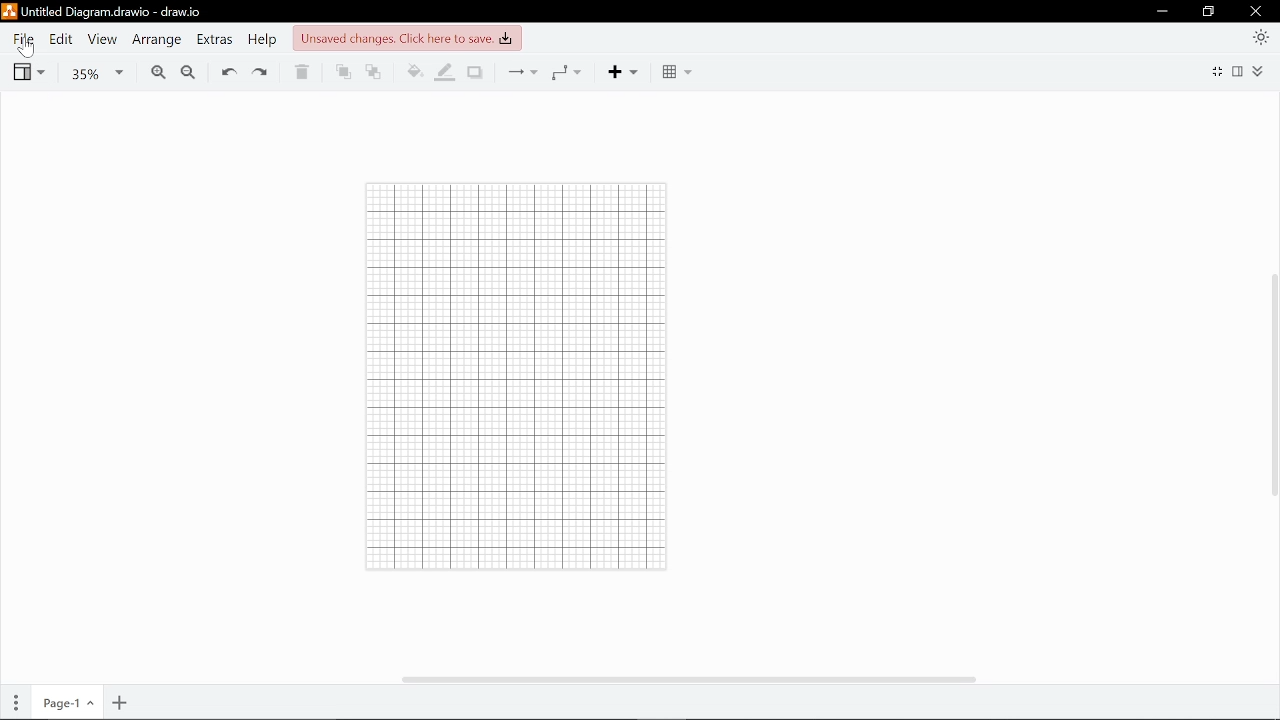  Describe the element at coordinates (188, 74) in the screenshot. I see `Zoom out` at that location.